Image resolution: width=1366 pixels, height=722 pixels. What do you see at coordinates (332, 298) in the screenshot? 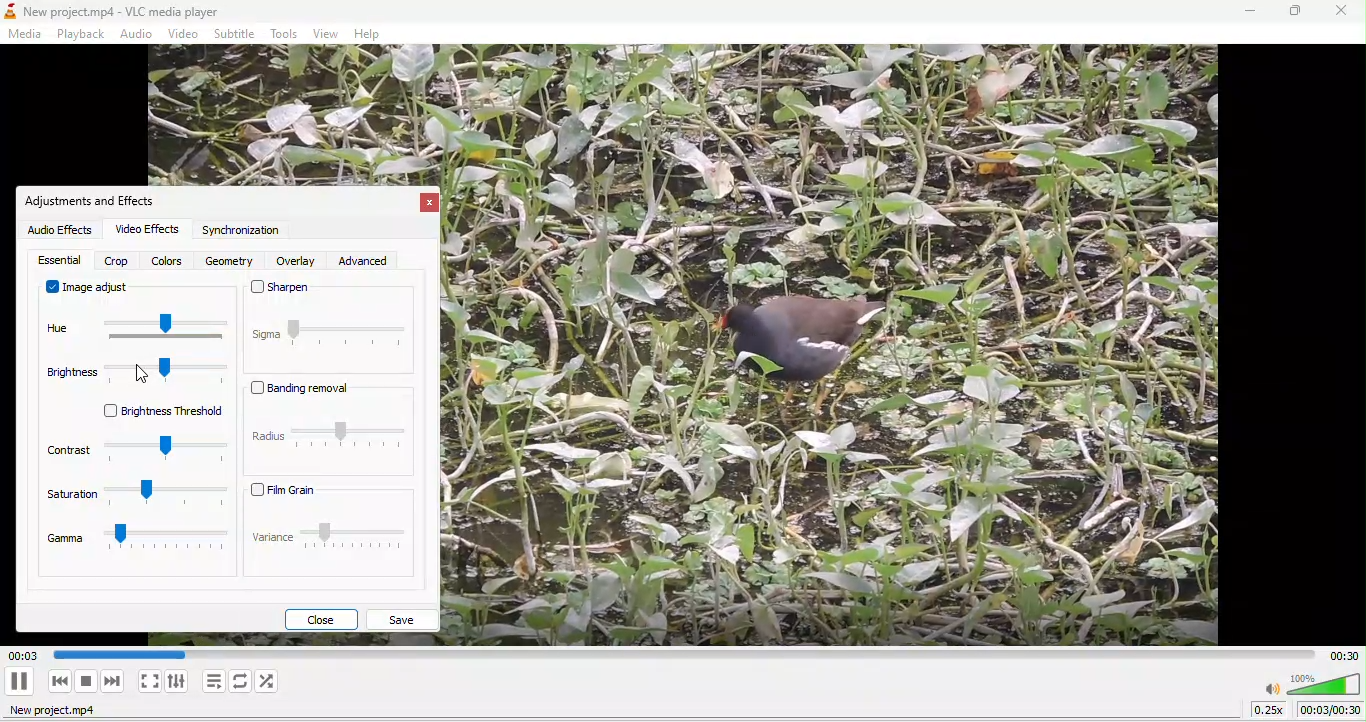
I see `sharpen` at bounding box center [332, 298].